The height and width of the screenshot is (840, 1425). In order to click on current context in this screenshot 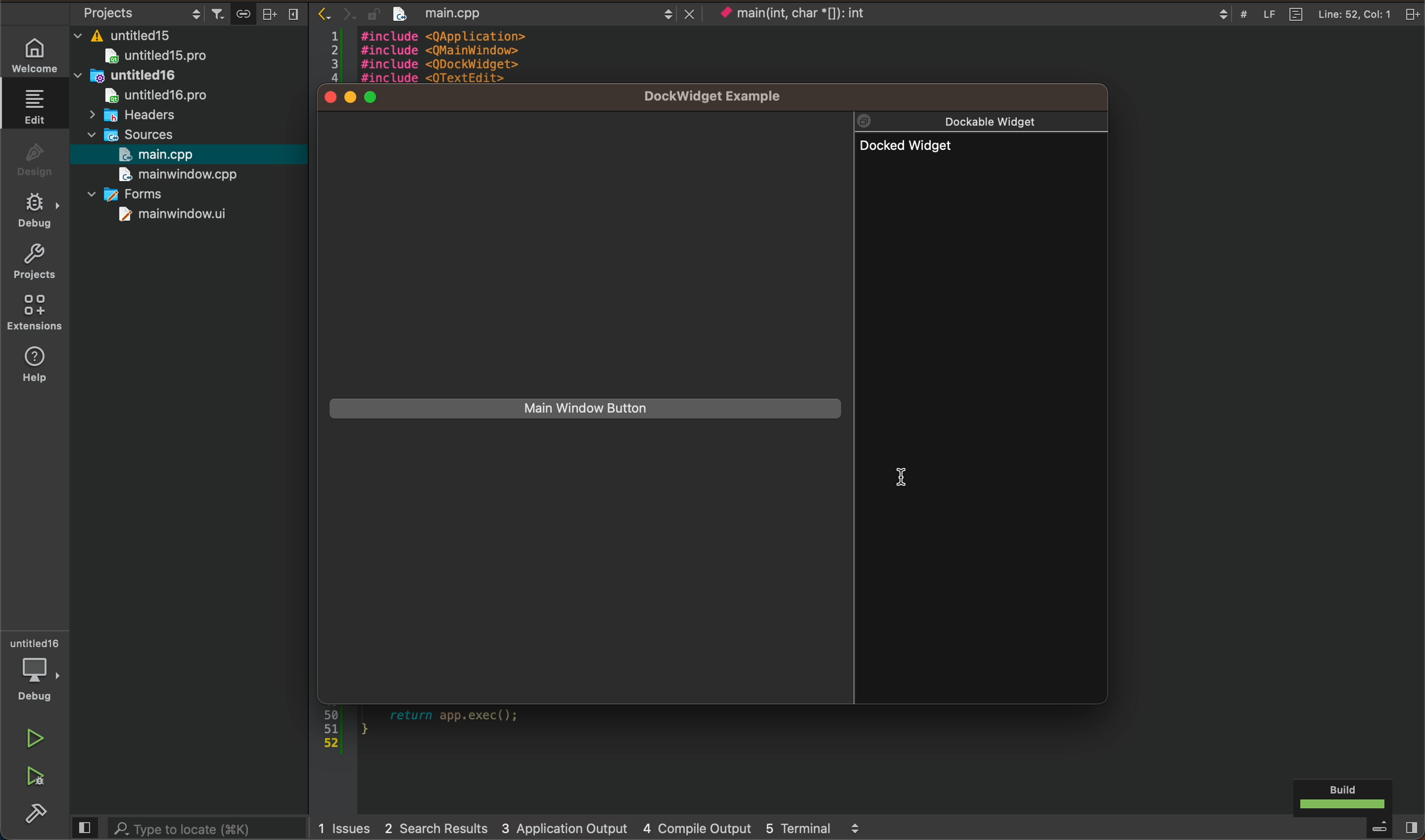, I will do `click(791, 14)`.